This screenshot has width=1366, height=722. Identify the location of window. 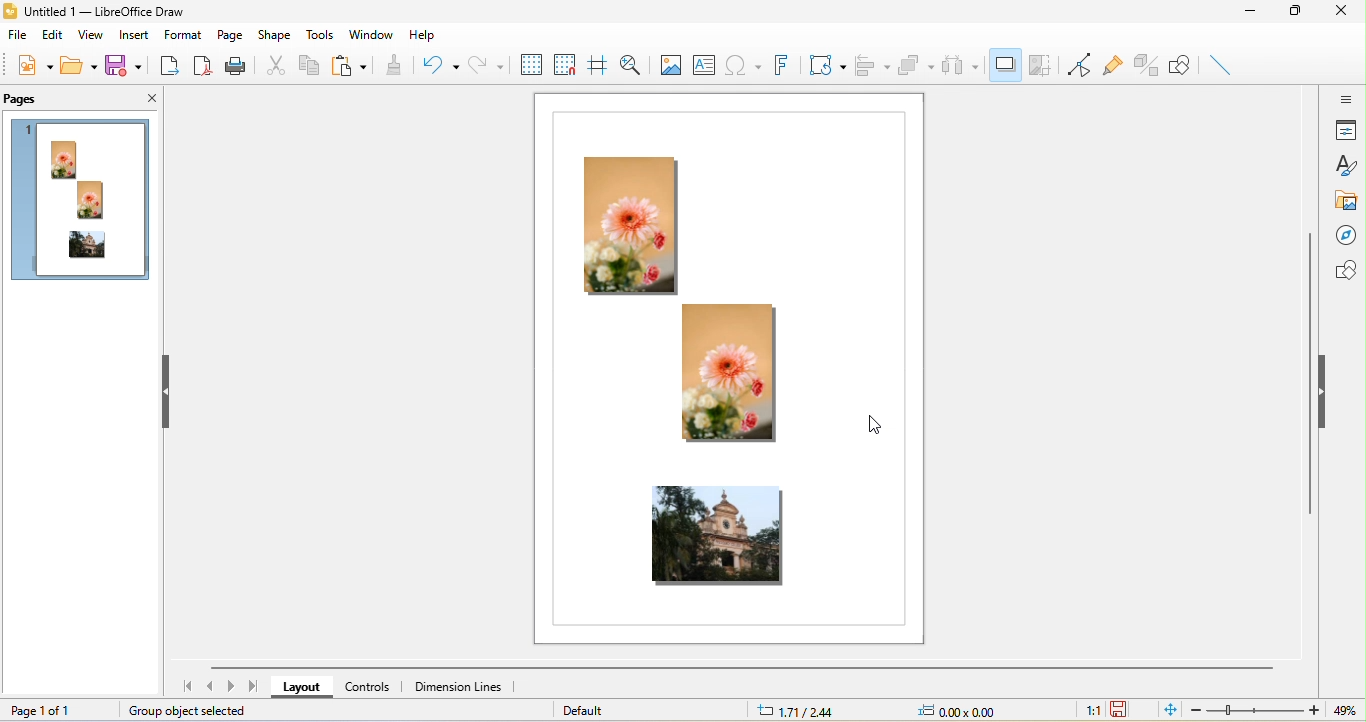
(371, 32).